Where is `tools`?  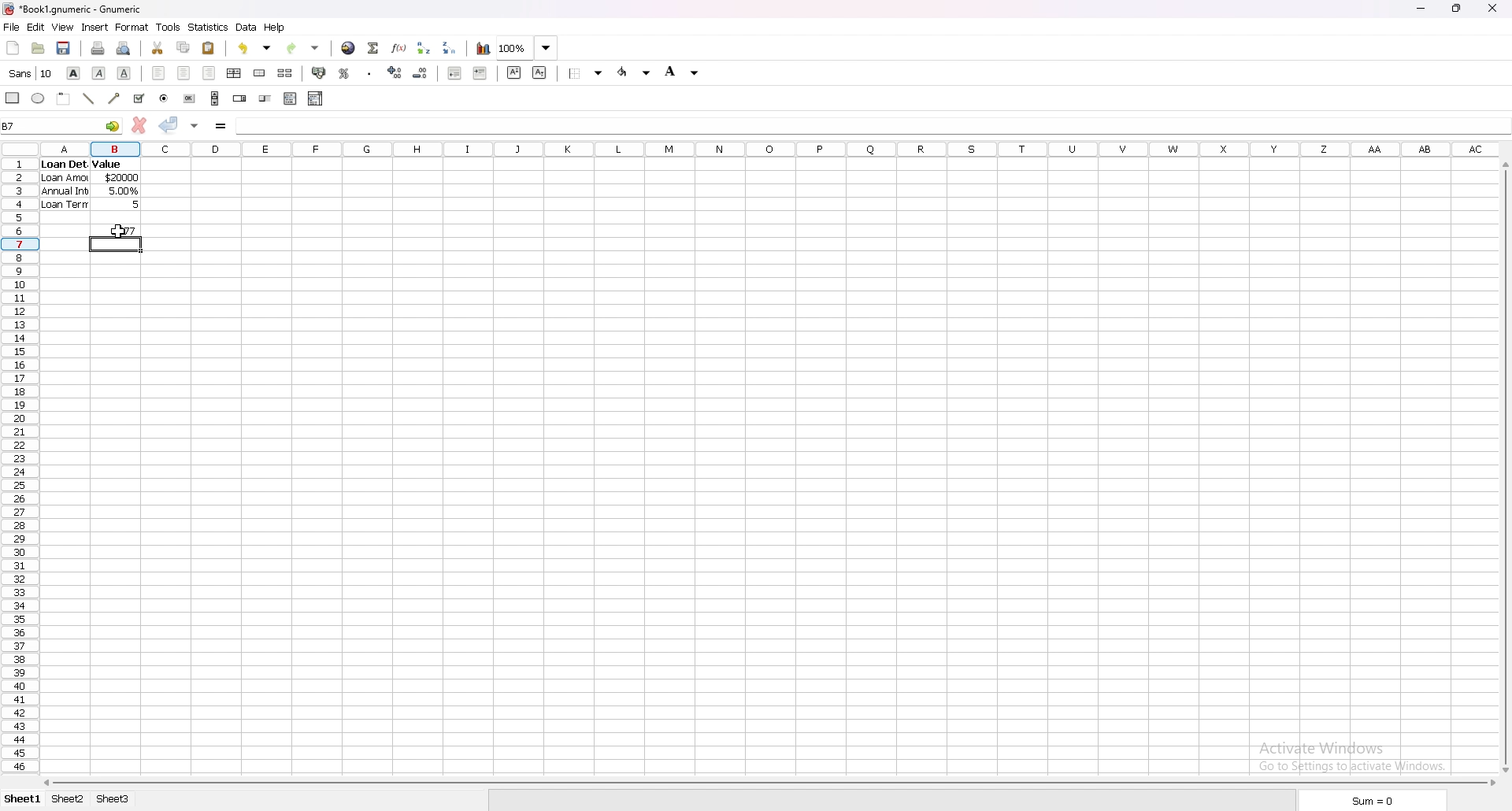 tools is located at coordinates (168, 28).